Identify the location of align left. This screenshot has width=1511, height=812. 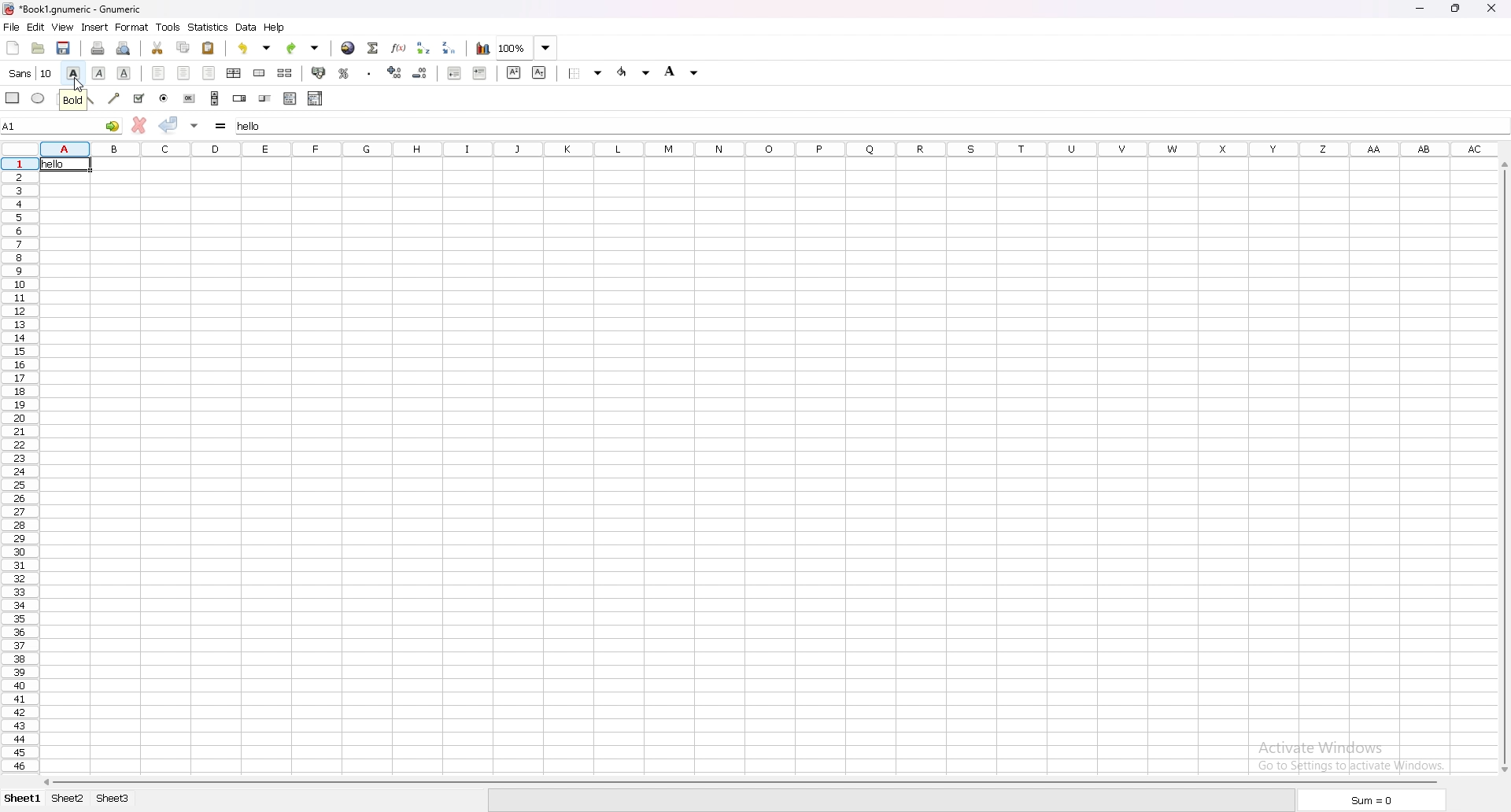
(157, 73).